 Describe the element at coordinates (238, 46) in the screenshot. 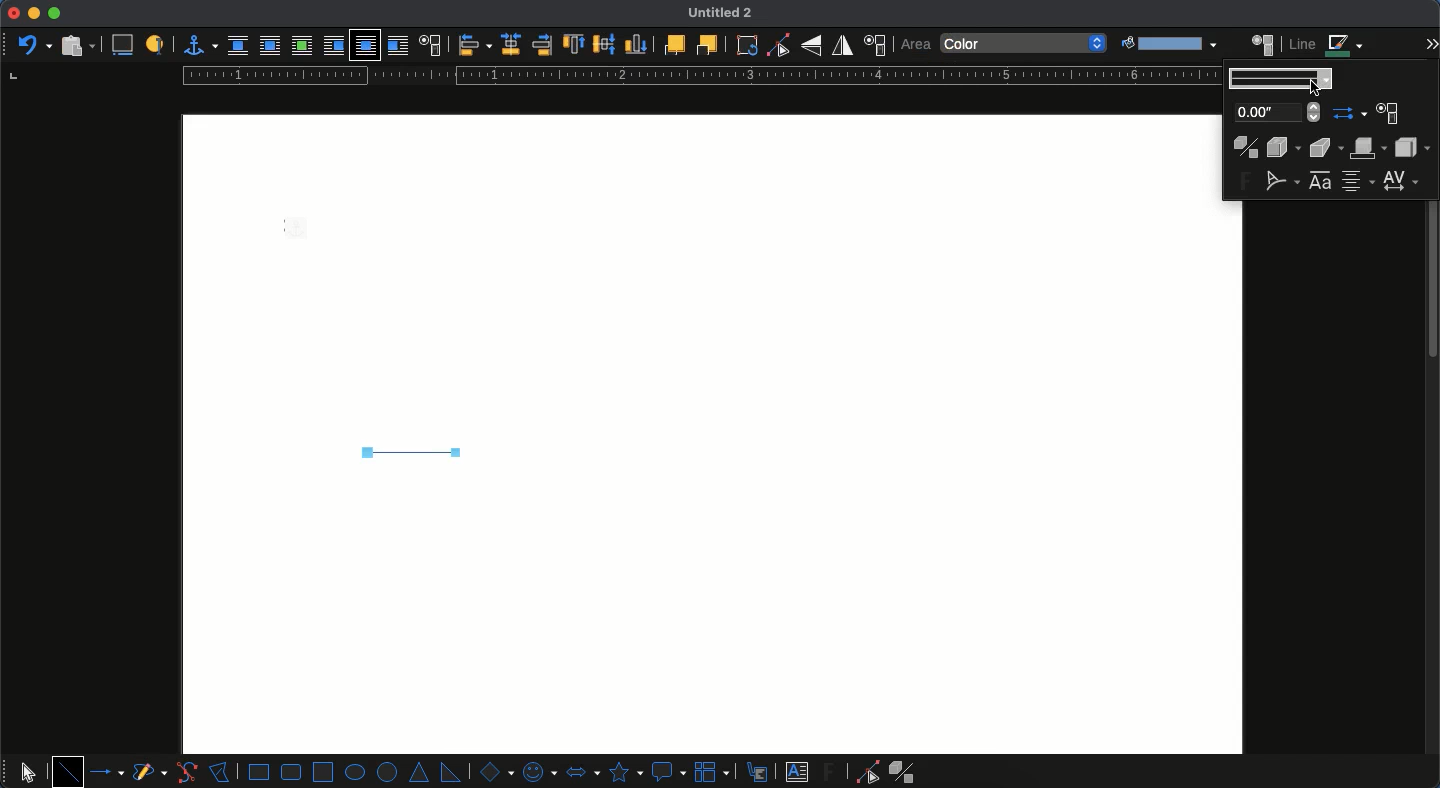

I see `none` at that location.